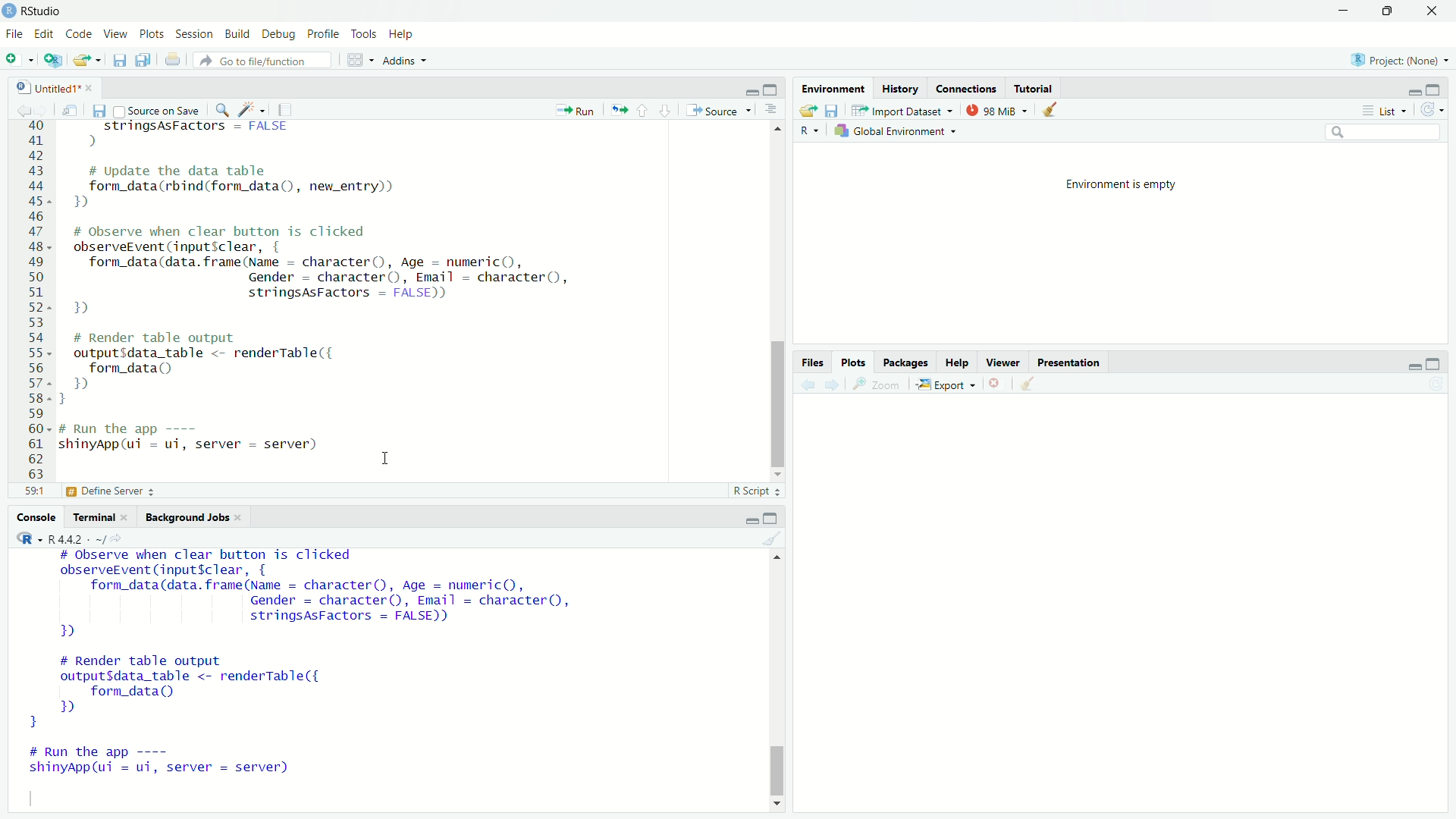 The width and height of the screenshot is (1456, 819). What do you see at coordinates (243, 518) in the screenshot?
I see `close` at bounding box center [243, 518].